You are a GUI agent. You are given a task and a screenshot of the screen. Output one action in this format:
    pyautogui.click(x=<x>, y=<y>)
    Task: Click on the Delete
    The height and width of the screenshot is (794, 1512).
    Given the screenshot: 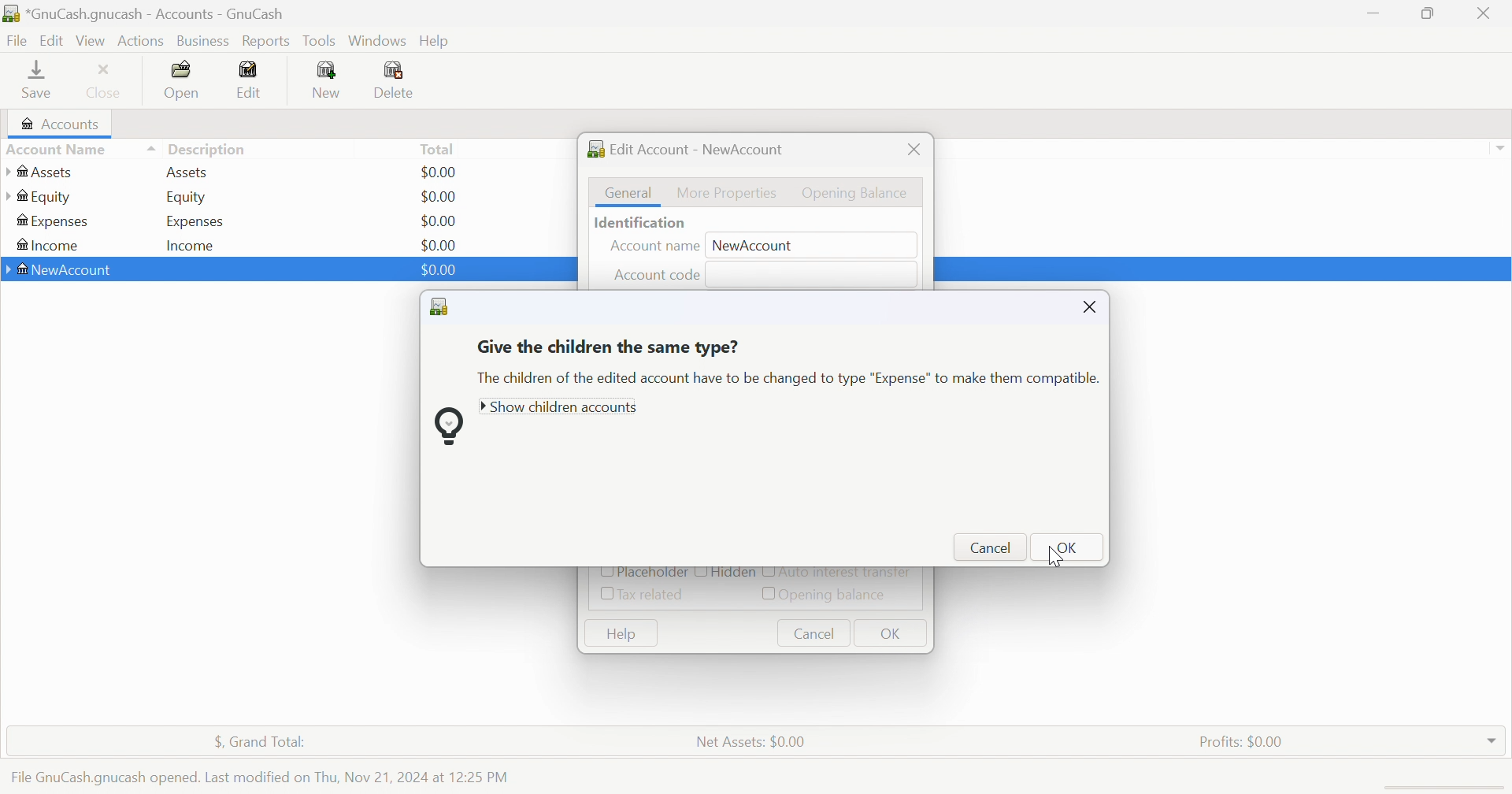 What is the action you would take?
    pyautogui.click(x=398, y=82)
    